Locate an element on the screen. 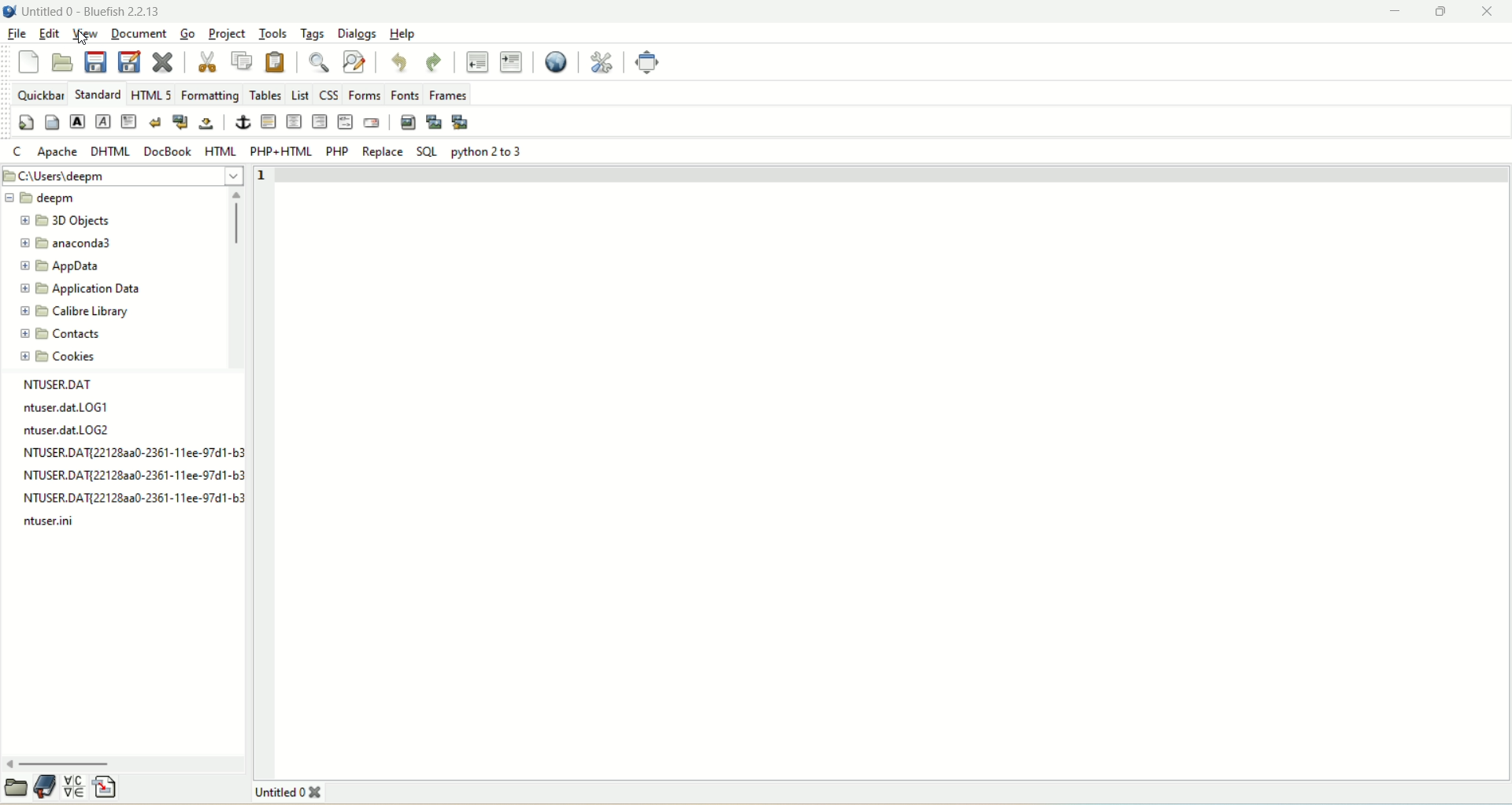  HTML comment is located at coordinates (345, 123).